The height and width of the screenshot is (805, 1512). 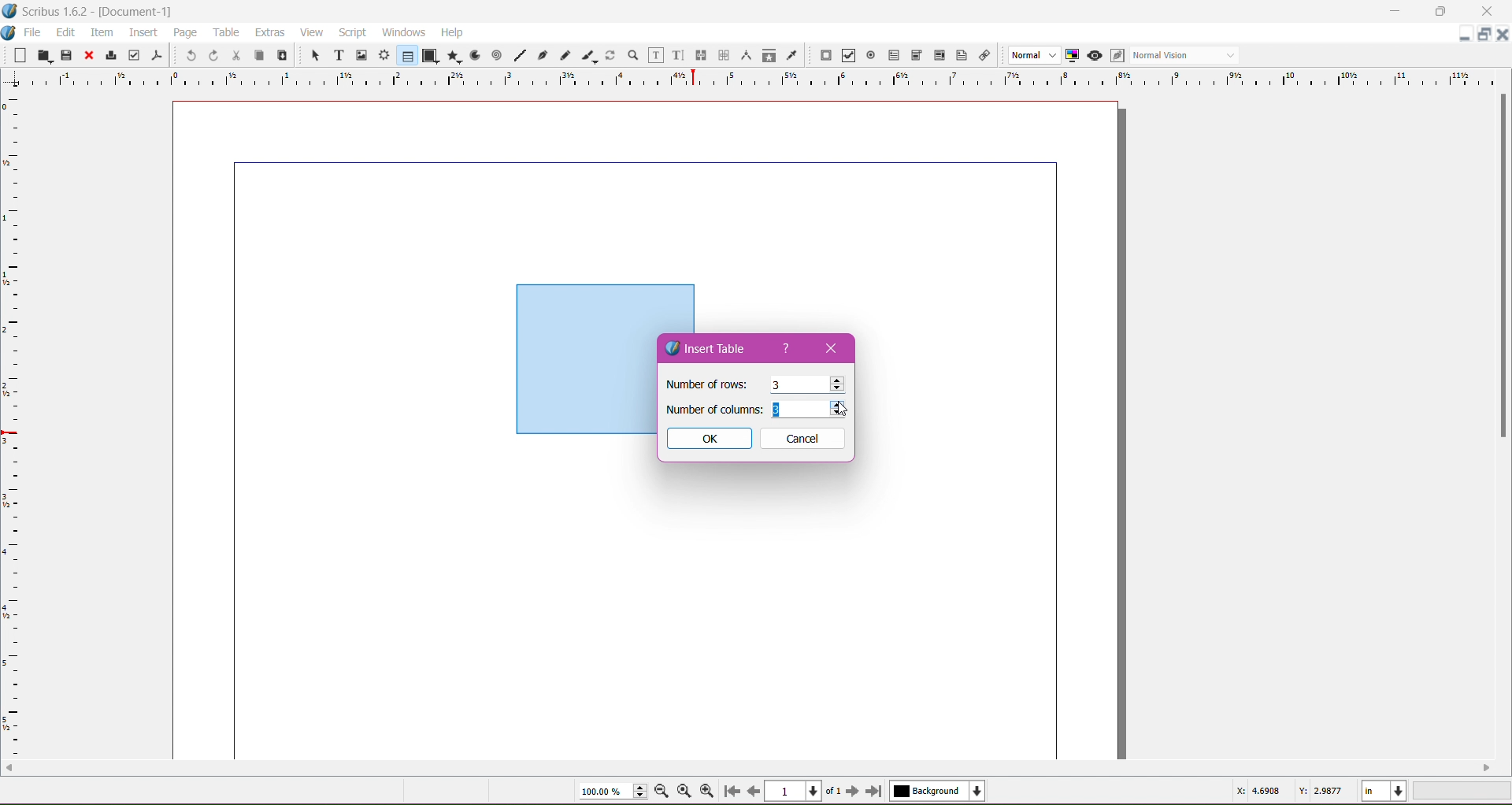 What do you see at coordinates (835, 386) in the screenshot?
I see `cursor` at bounding box center [835, 386].